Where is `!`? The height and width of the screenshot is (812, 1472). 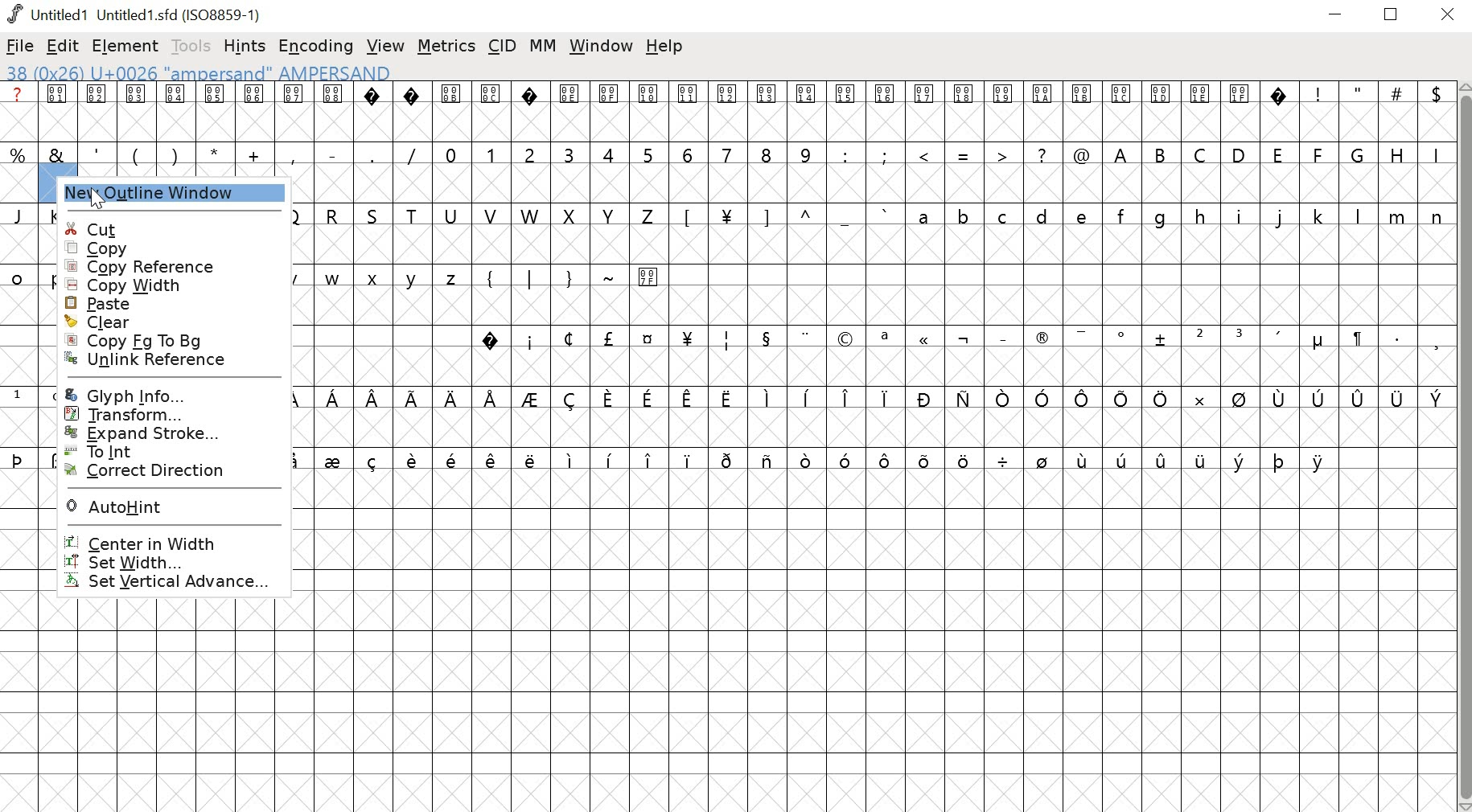 ! is located at coordinates (1318, 111).